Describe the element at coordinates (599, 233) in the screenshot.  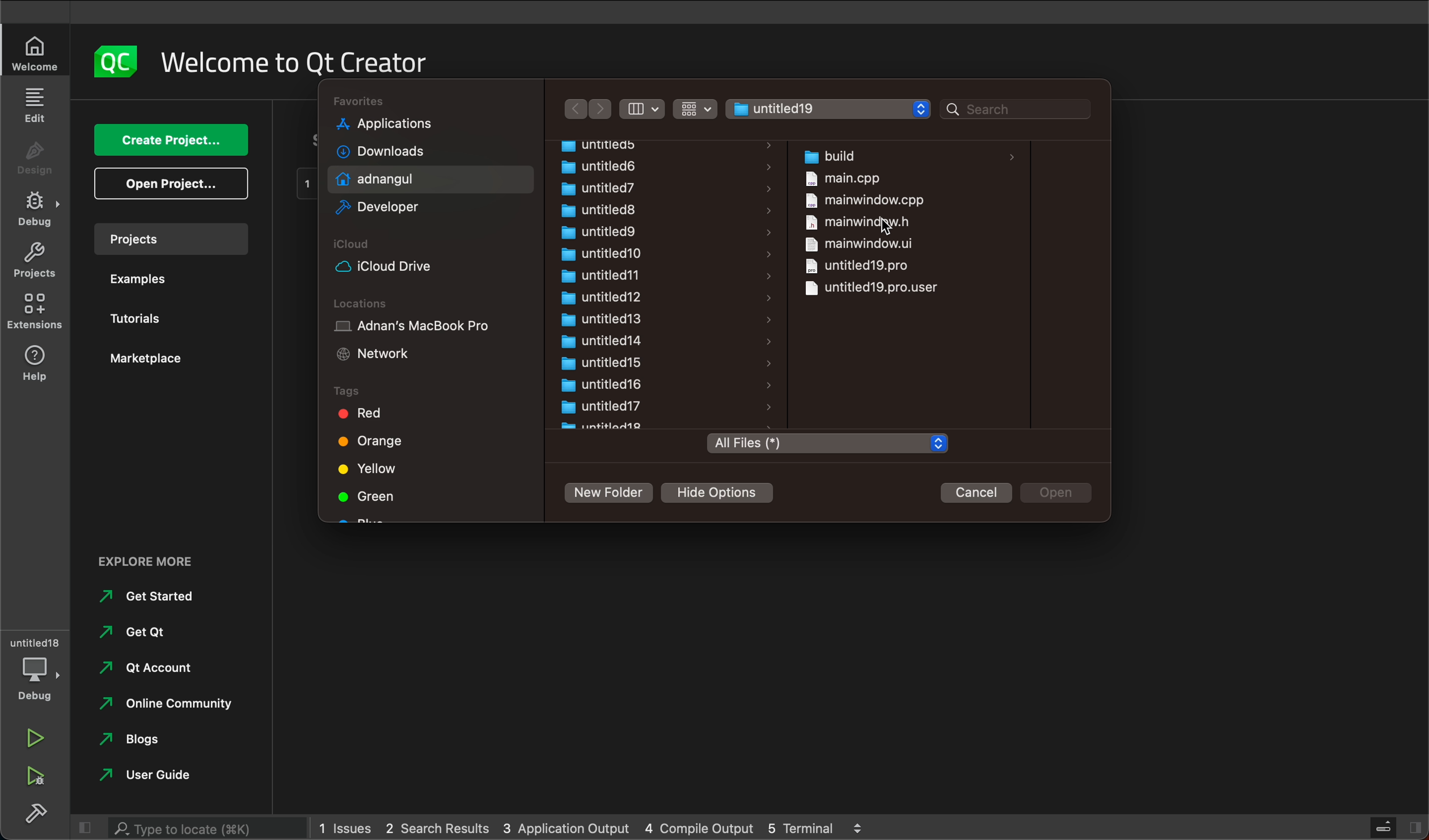
I see `untitled09` at that location.